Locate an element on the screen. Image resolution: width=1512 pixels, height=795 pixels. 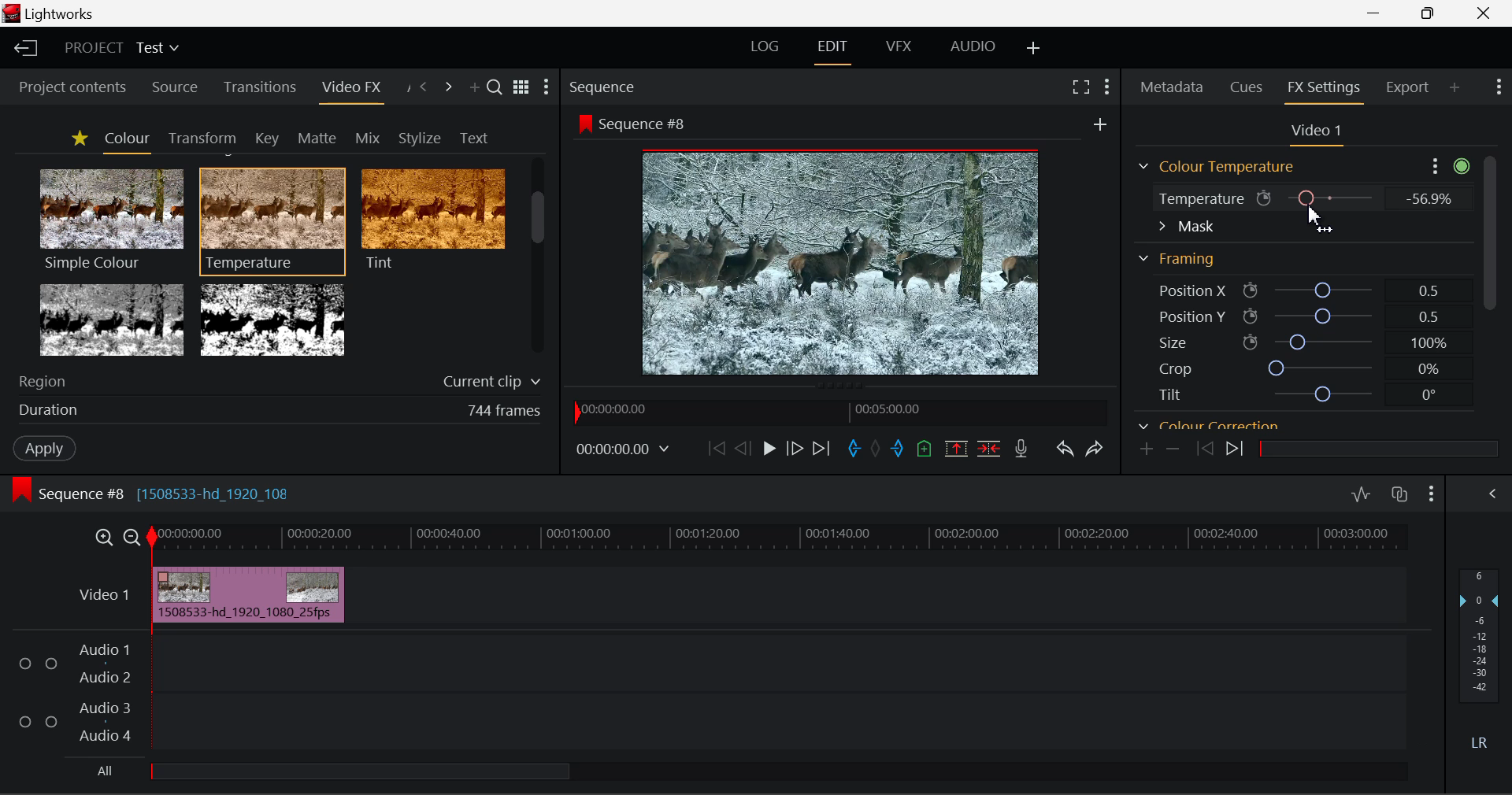
Colour is located at coordinates (124, 139).